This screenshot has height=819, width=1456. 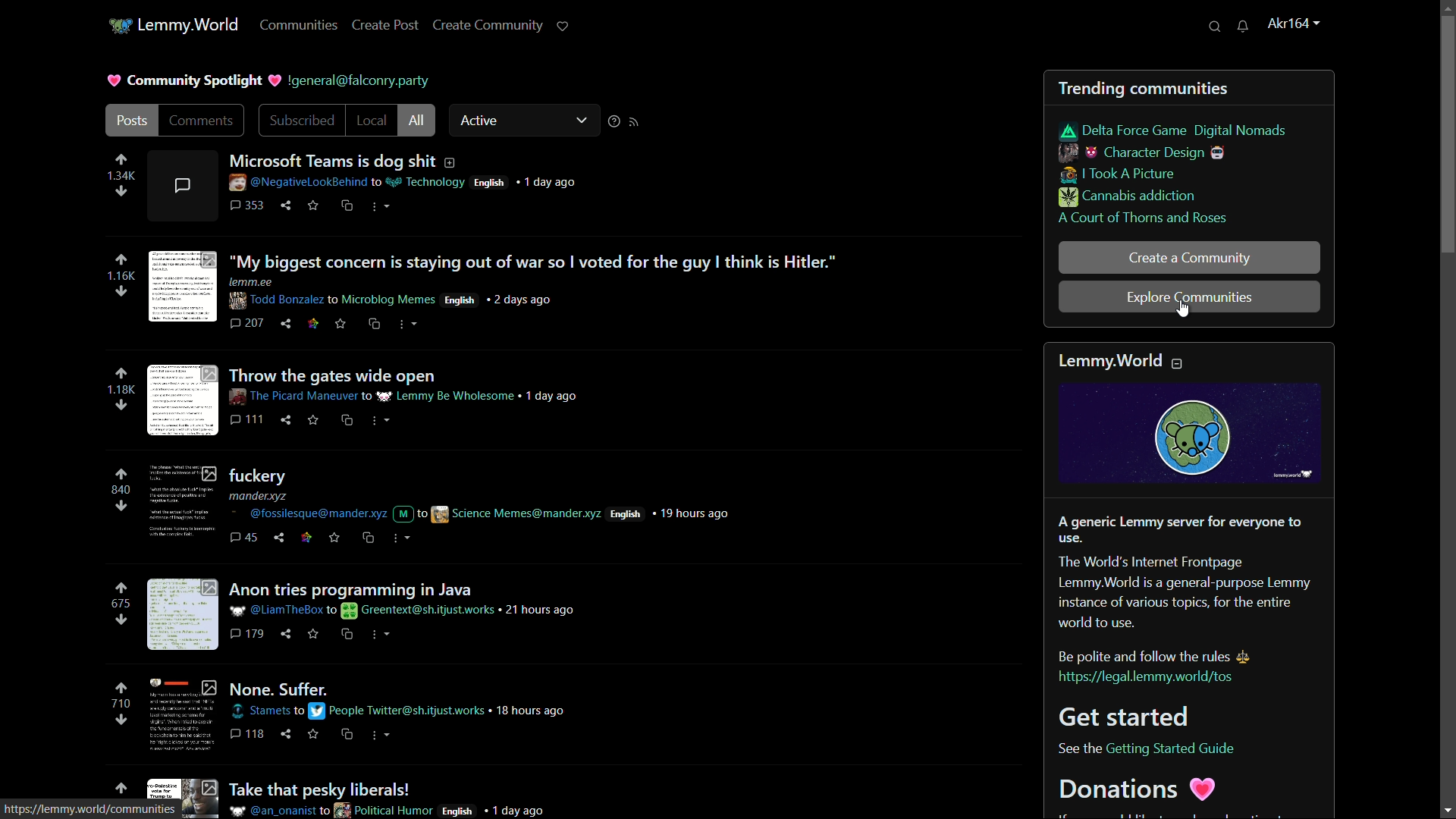 I want to click on rss, so click(x=635, y=124).